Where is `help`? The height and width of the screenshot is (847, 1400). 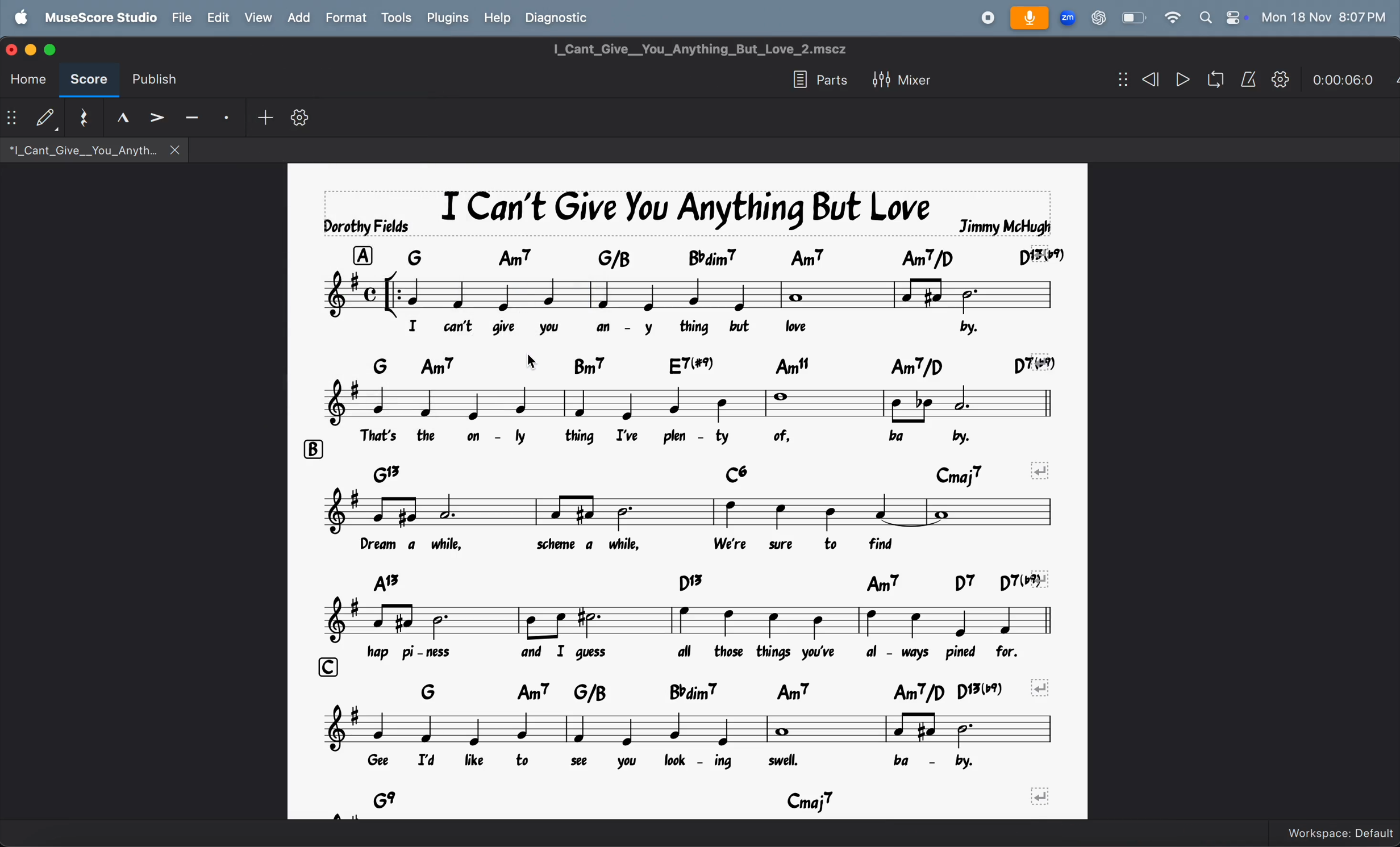
help is located at coordinates (499, 19).